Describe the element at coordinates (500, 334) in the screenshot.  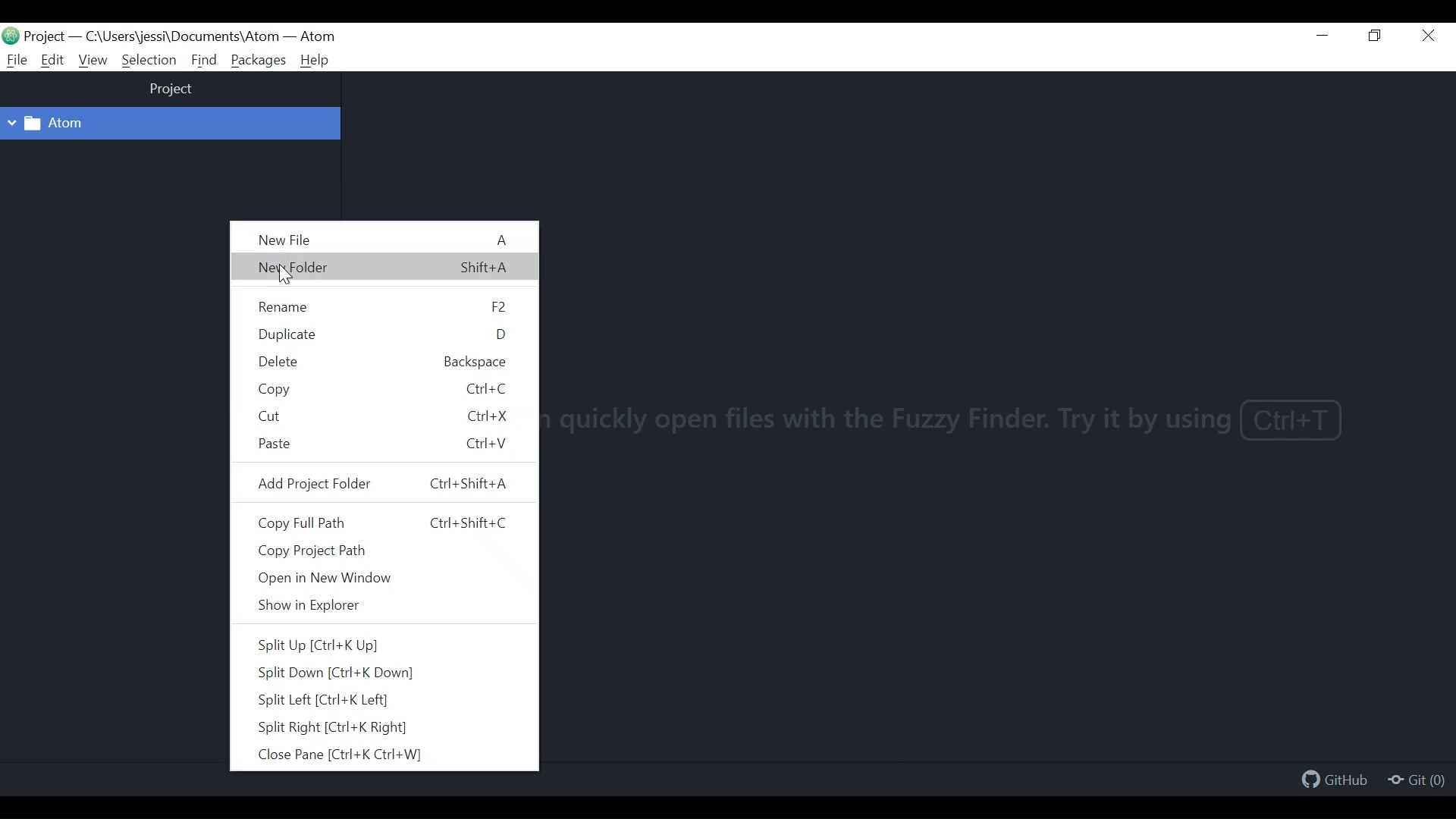
I see `d` at that location.